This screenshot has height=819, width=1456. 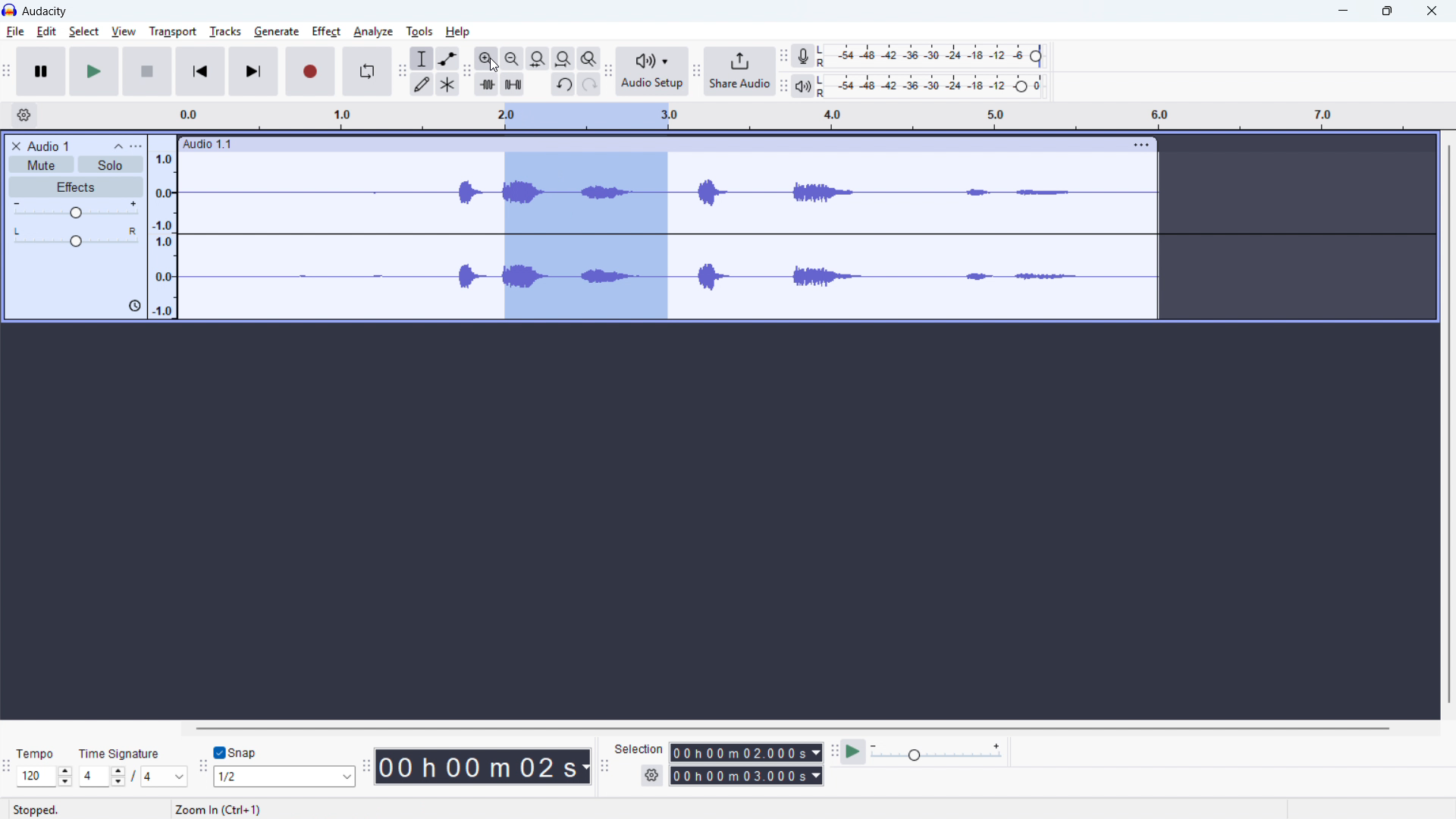 What do you see at coordinates (163, 226) in the screenshot?
I see `Amplitude` at bounding box center [163, 226].